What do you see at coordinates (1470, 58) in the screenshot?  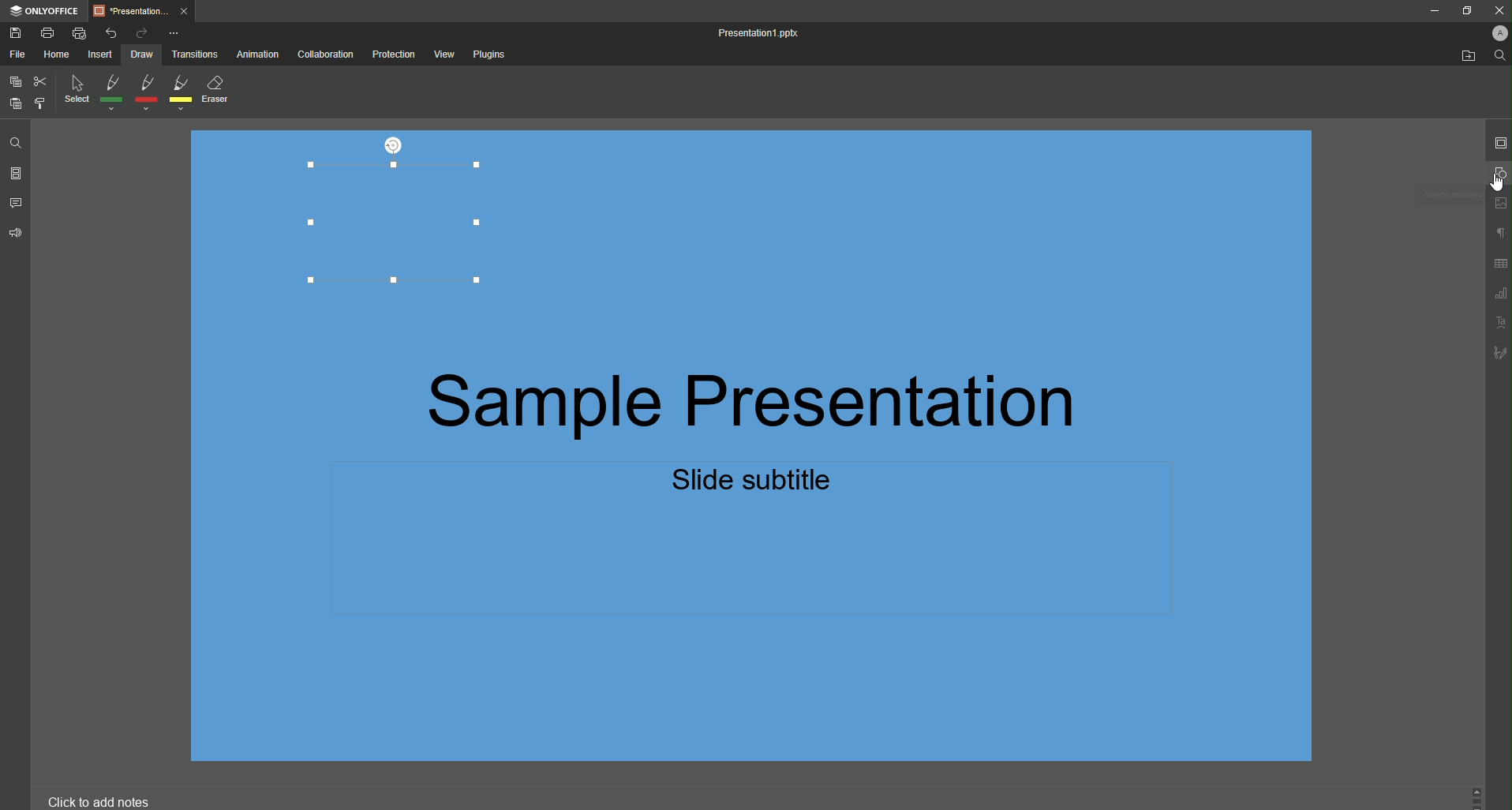 I see `Open From Fil` at bounding box center [1470, 58].